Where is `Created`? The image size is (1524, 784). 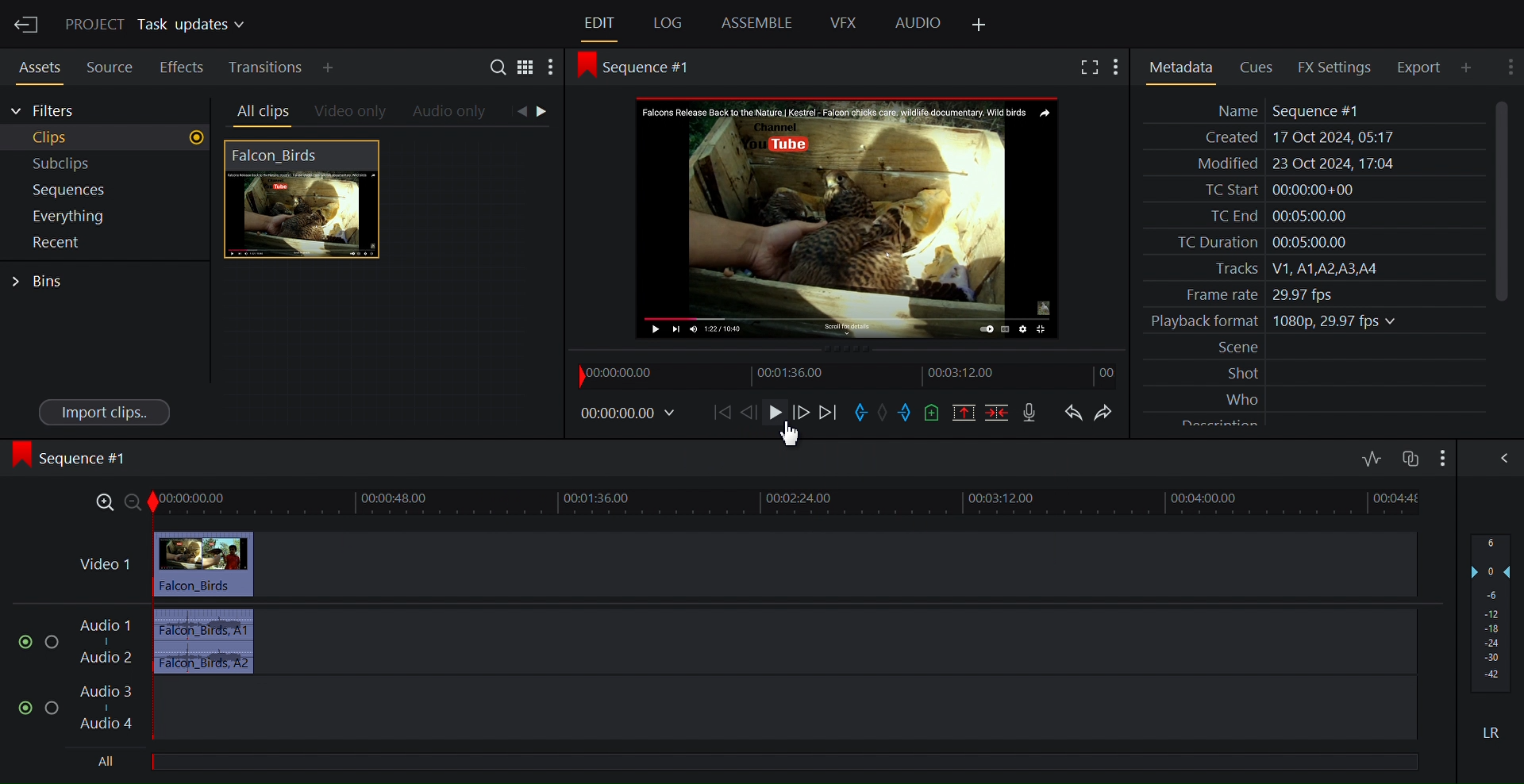
Created is located at coordinates (1310, 138).